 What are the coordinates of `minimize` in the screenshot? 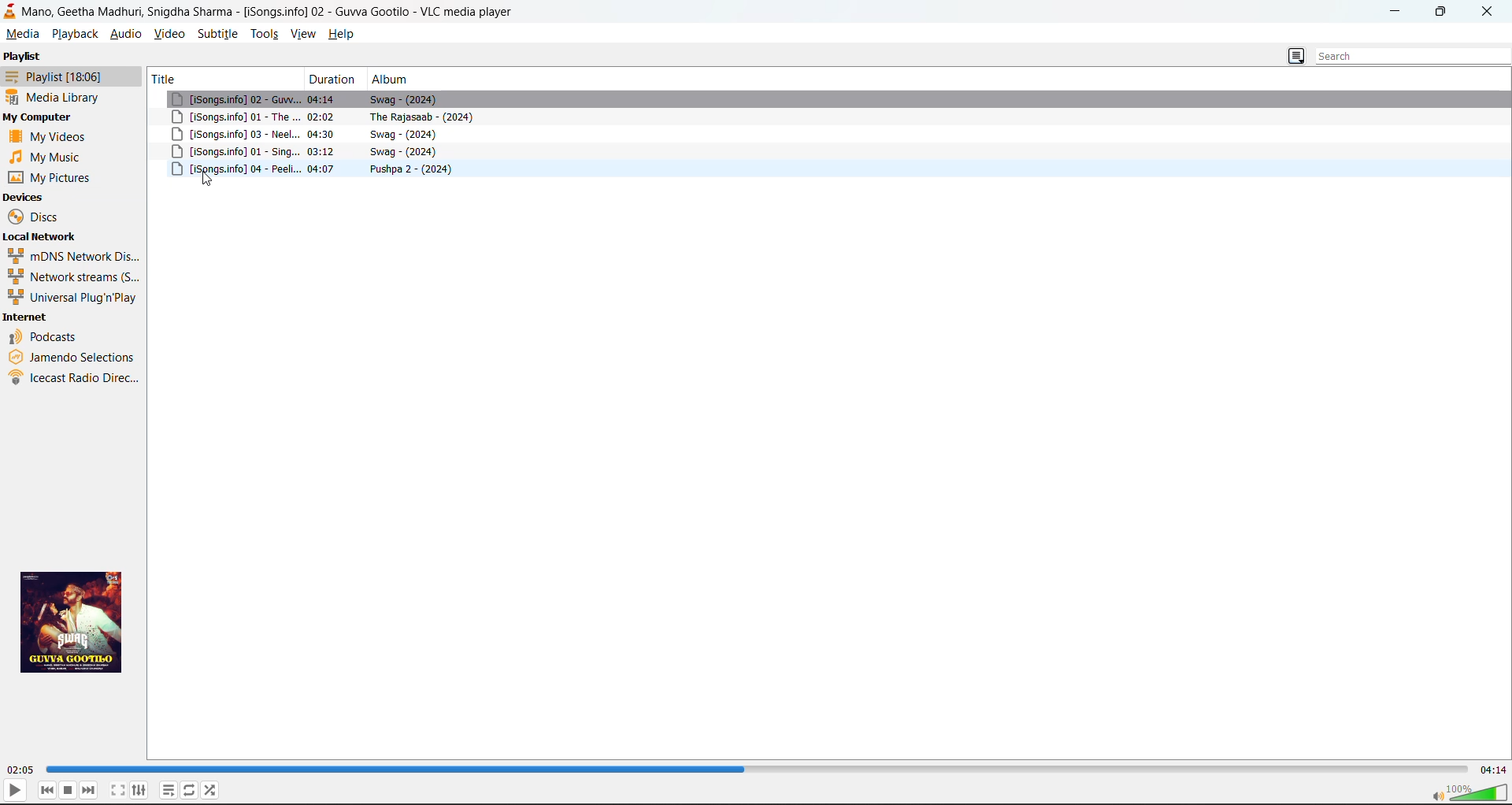 It's located at (1399, 12).